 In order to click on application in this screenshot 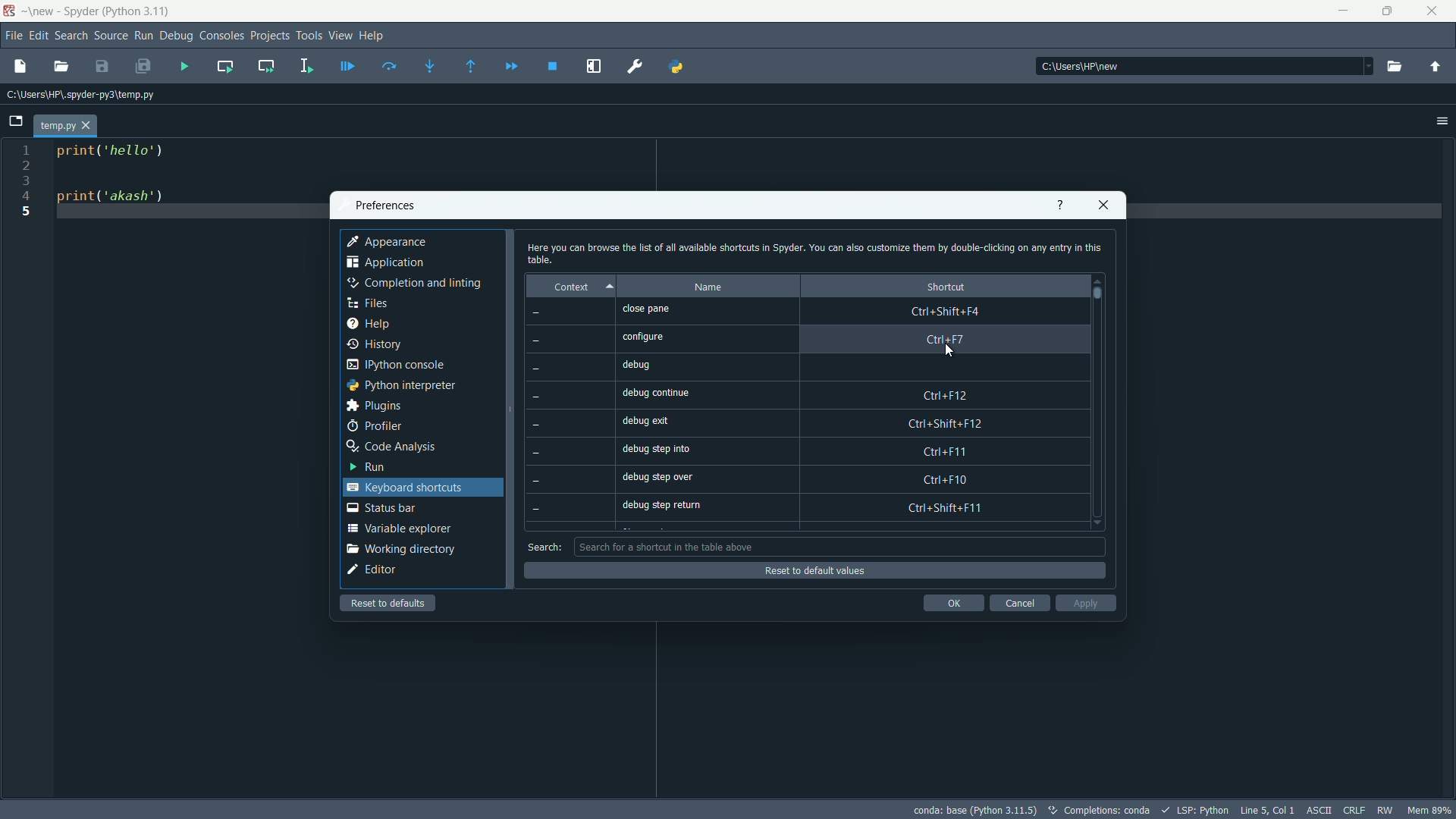, I will do `click(386, 265)`.